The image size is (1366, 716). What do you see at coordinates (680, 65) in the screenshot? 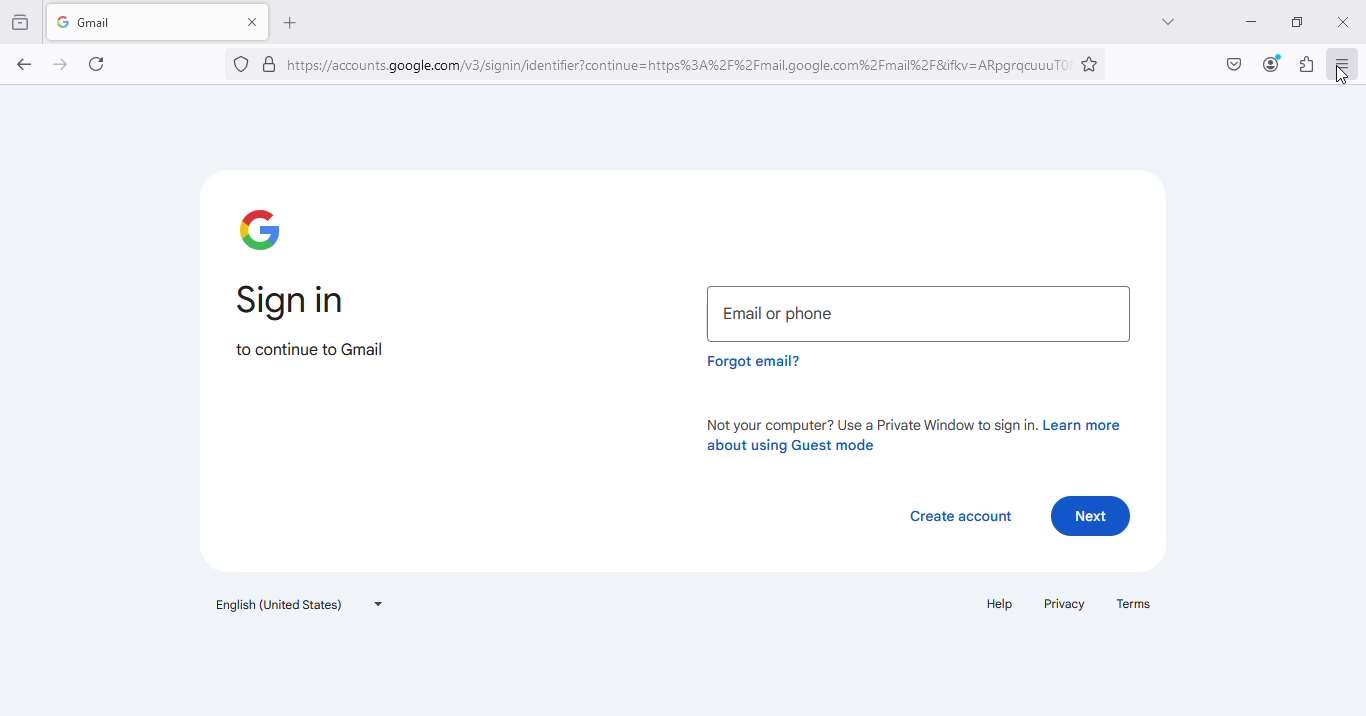
I see `link` at bounding box center [680, 65].